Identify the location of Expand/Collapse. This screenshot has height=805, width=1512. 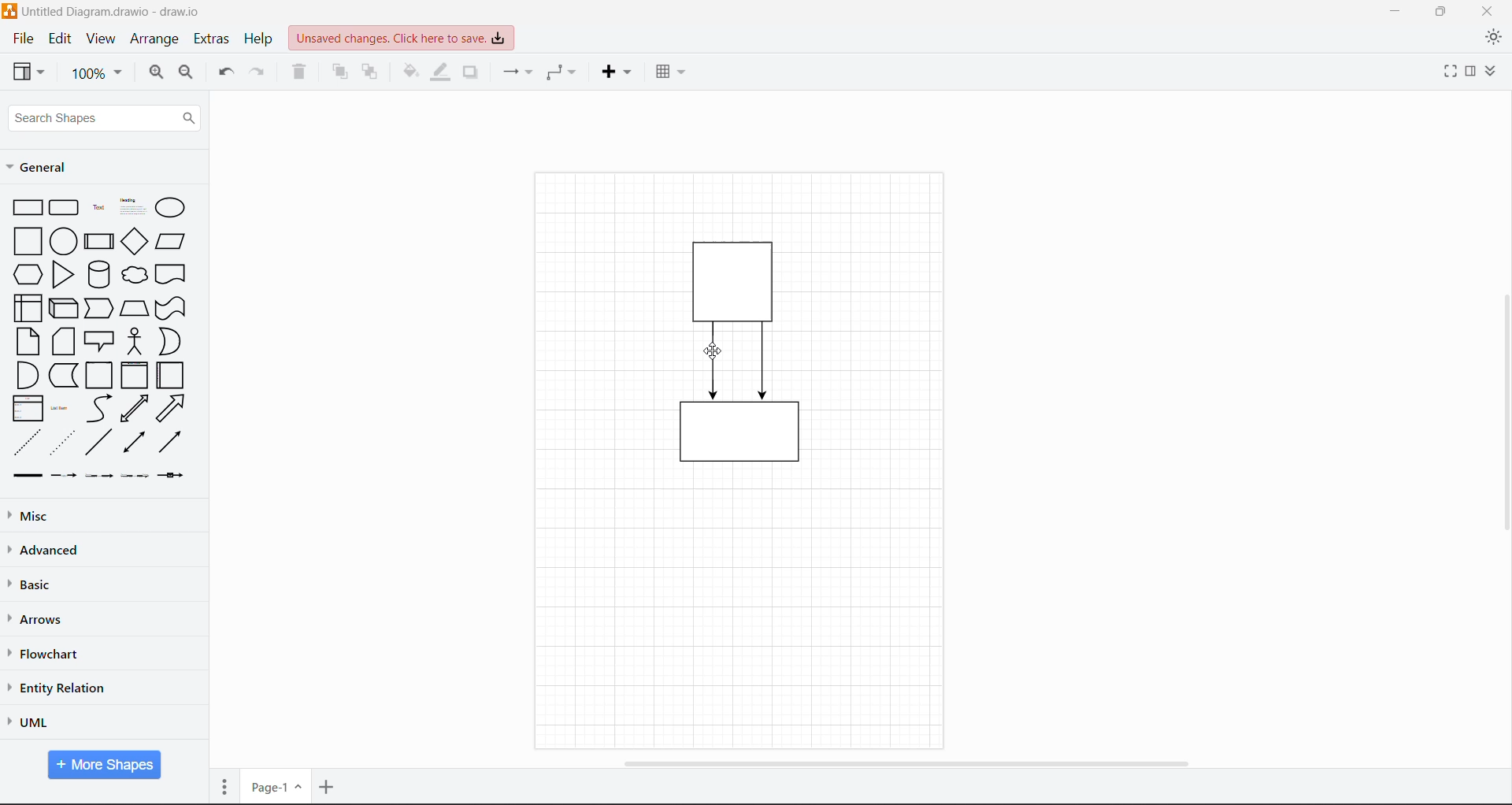
(1495, 72).